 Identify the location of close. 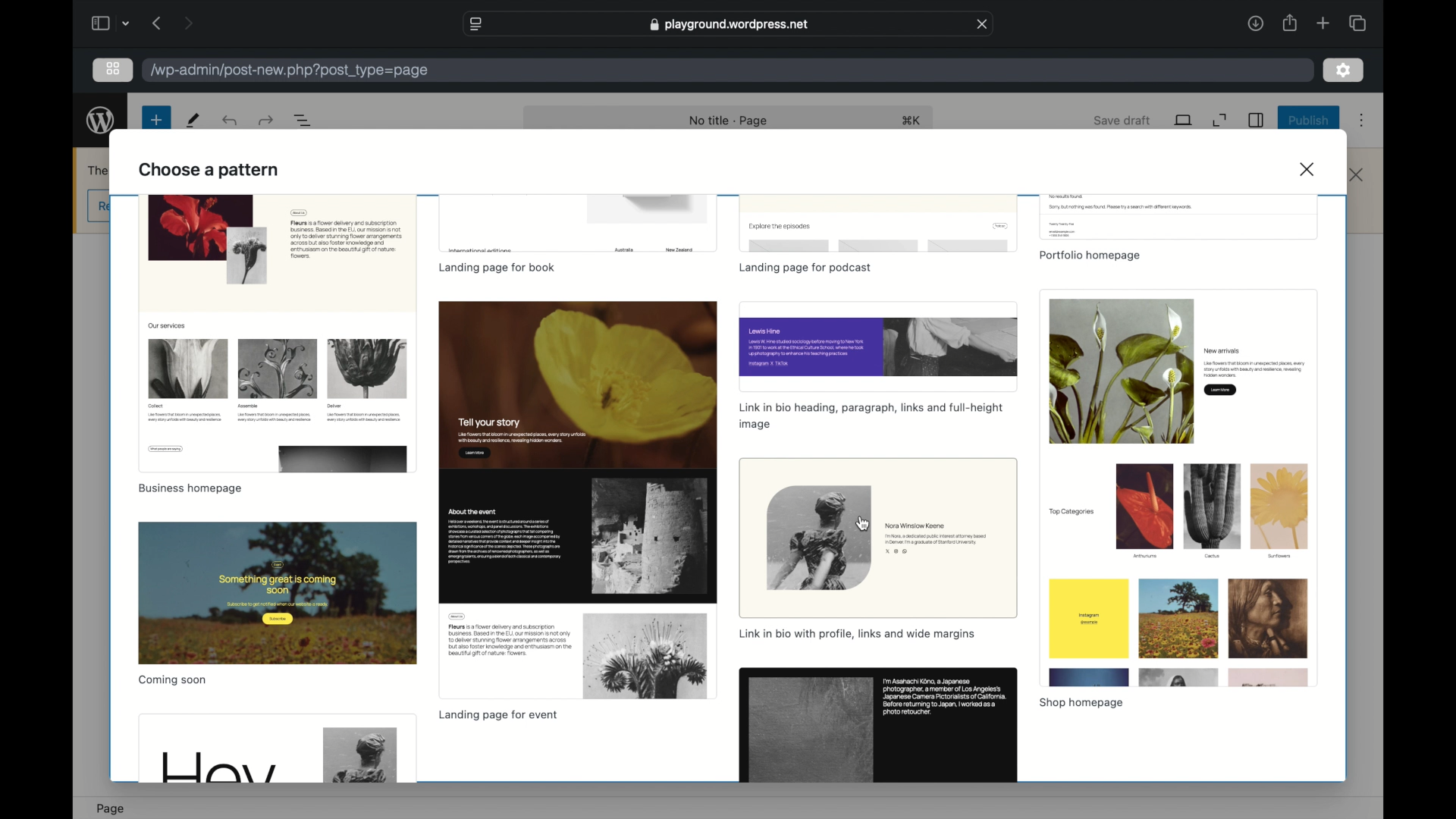
(1357, 175).